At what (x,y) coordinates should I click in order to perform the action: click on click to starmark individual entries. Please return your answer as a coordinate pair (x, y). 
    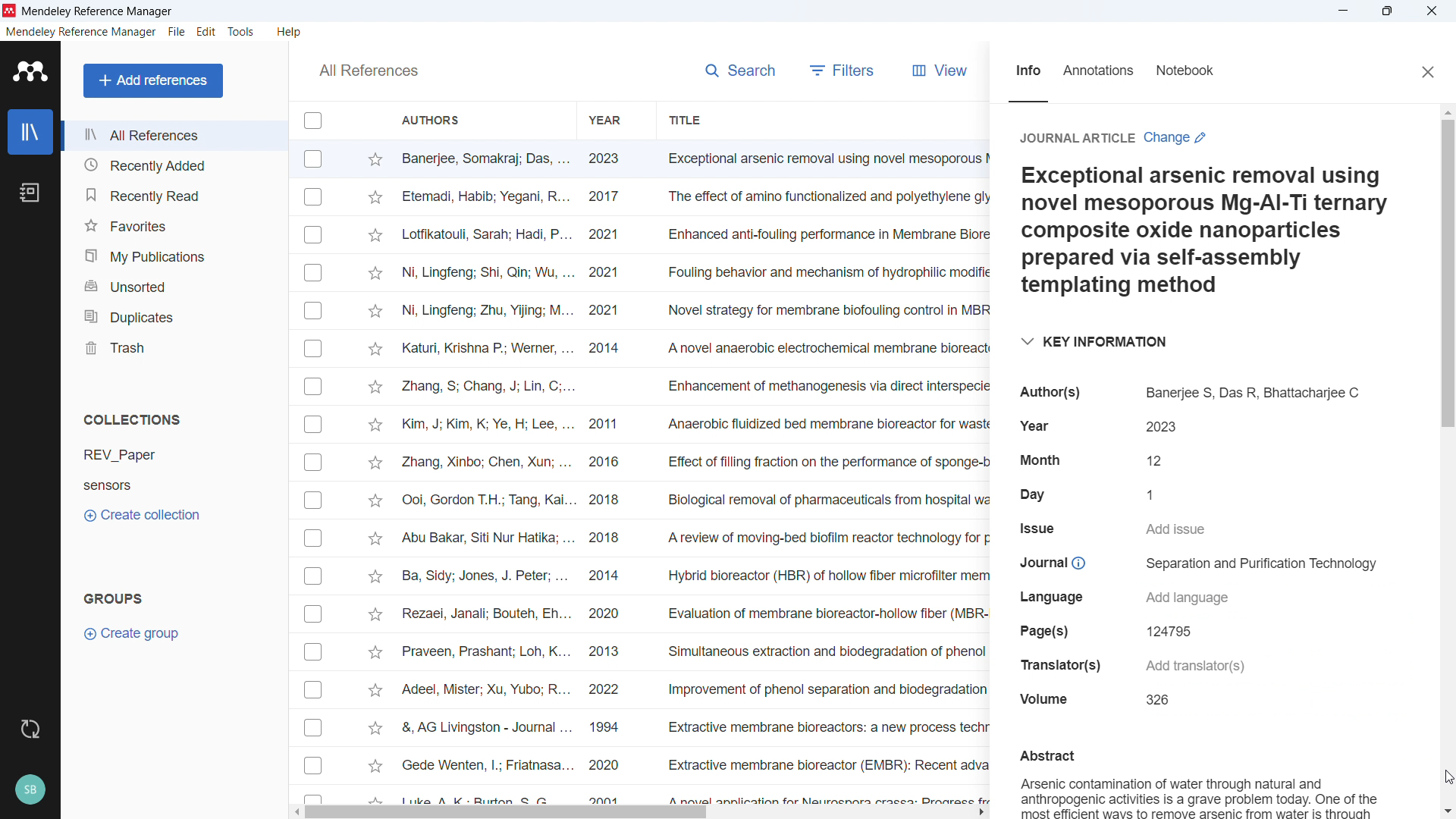
    Looking at the image, I should click on (376, 312).